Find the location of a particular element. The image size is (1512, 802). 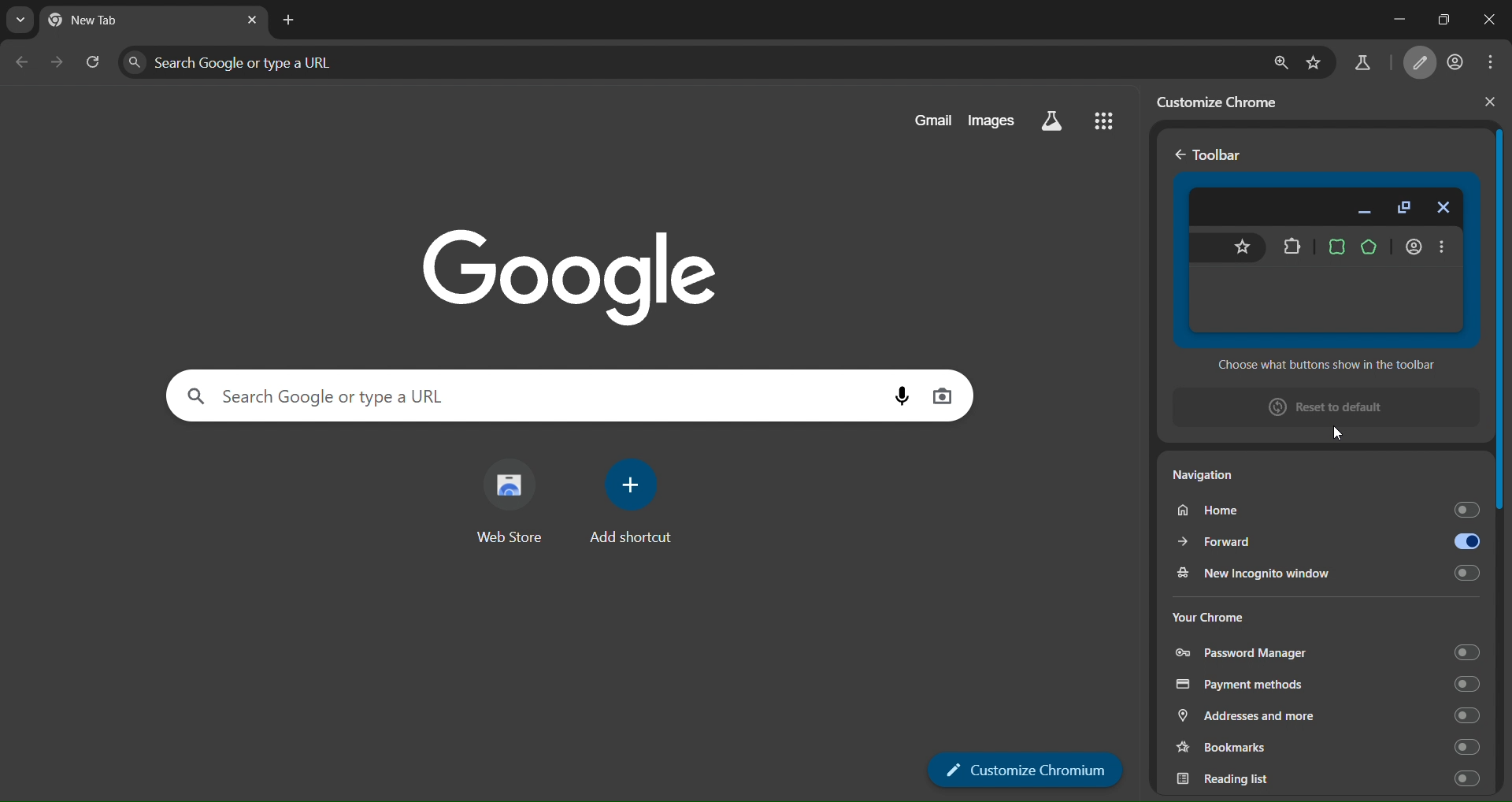

customize chromium is located at coordinates (1419, 64).